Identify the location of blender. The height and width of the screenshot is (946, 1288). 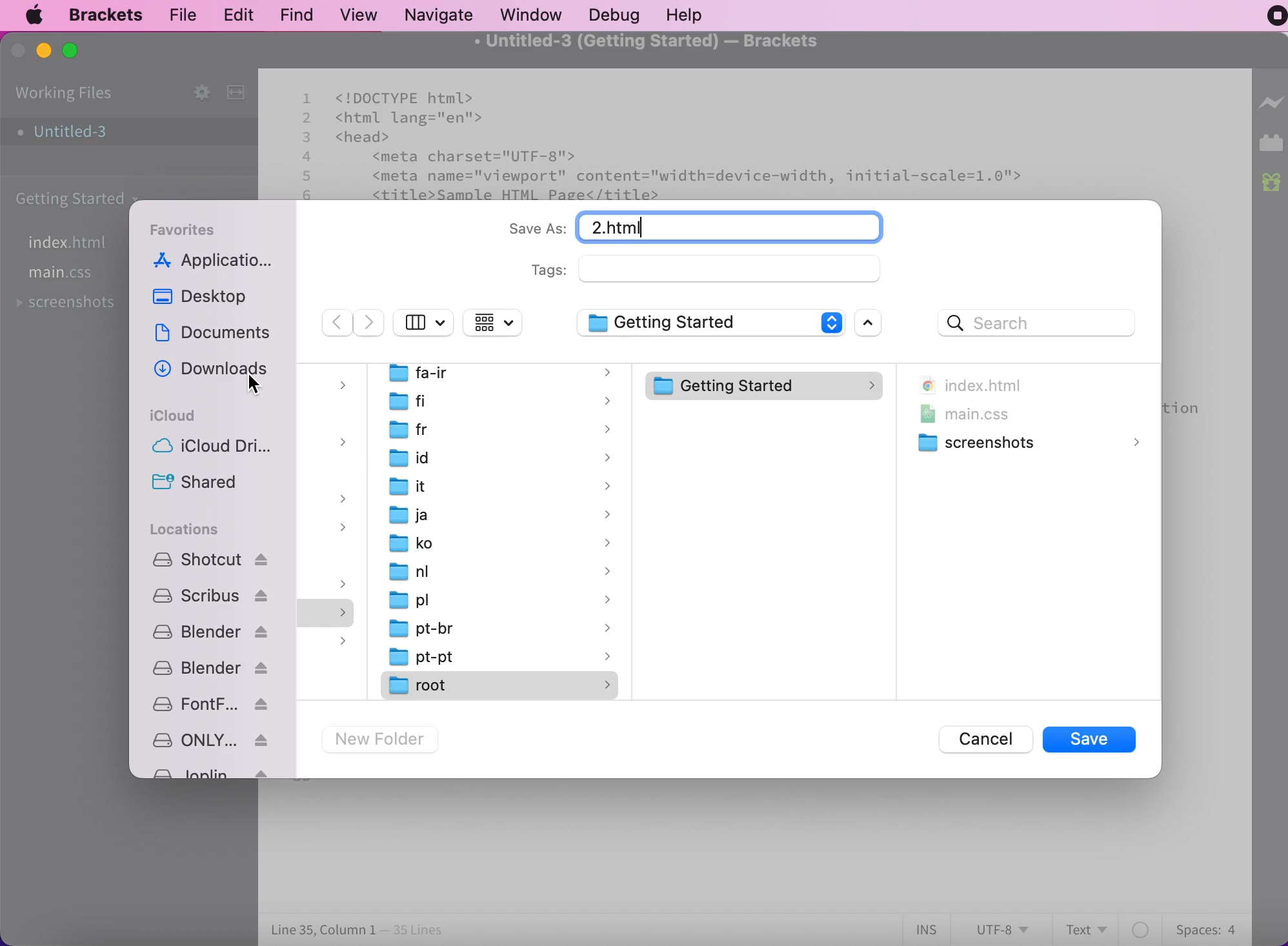
(209, 632).